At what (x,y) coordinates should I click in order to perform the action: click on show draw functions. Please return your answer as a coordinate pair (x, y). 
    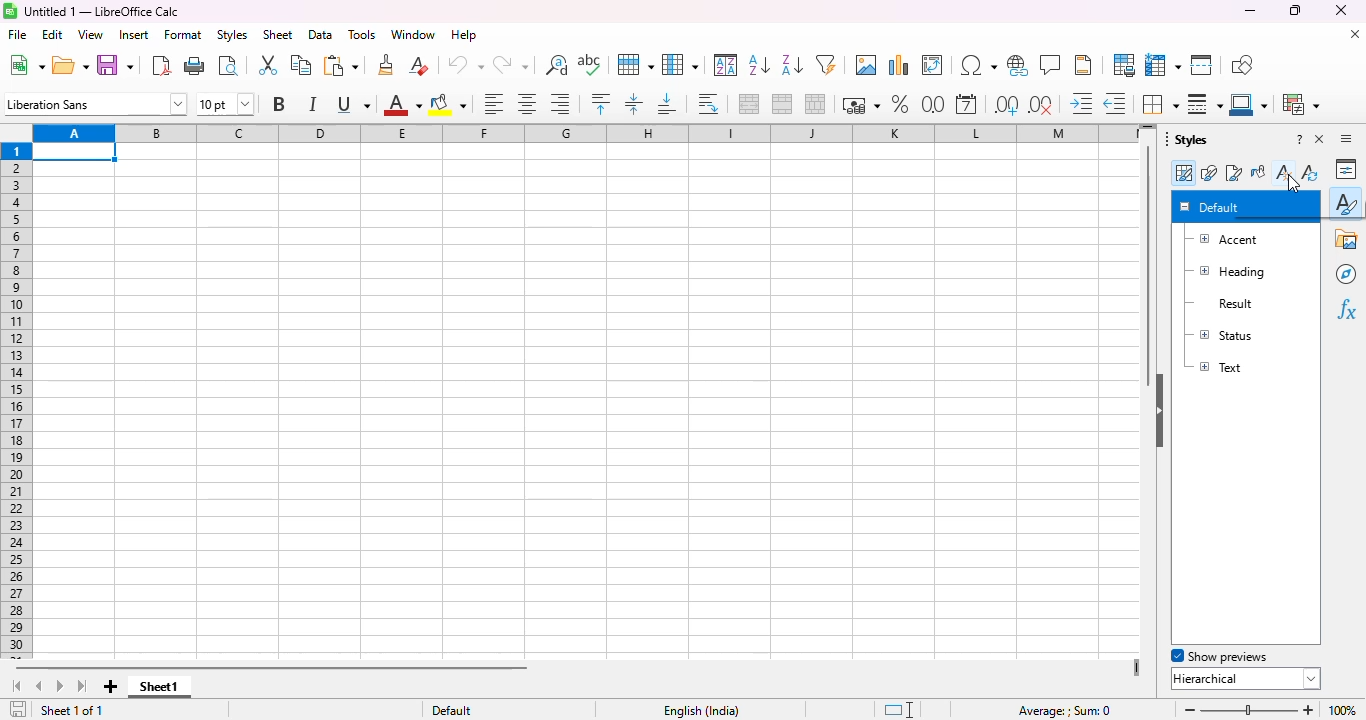
    Looking at the image, I should click on (1242, 65).